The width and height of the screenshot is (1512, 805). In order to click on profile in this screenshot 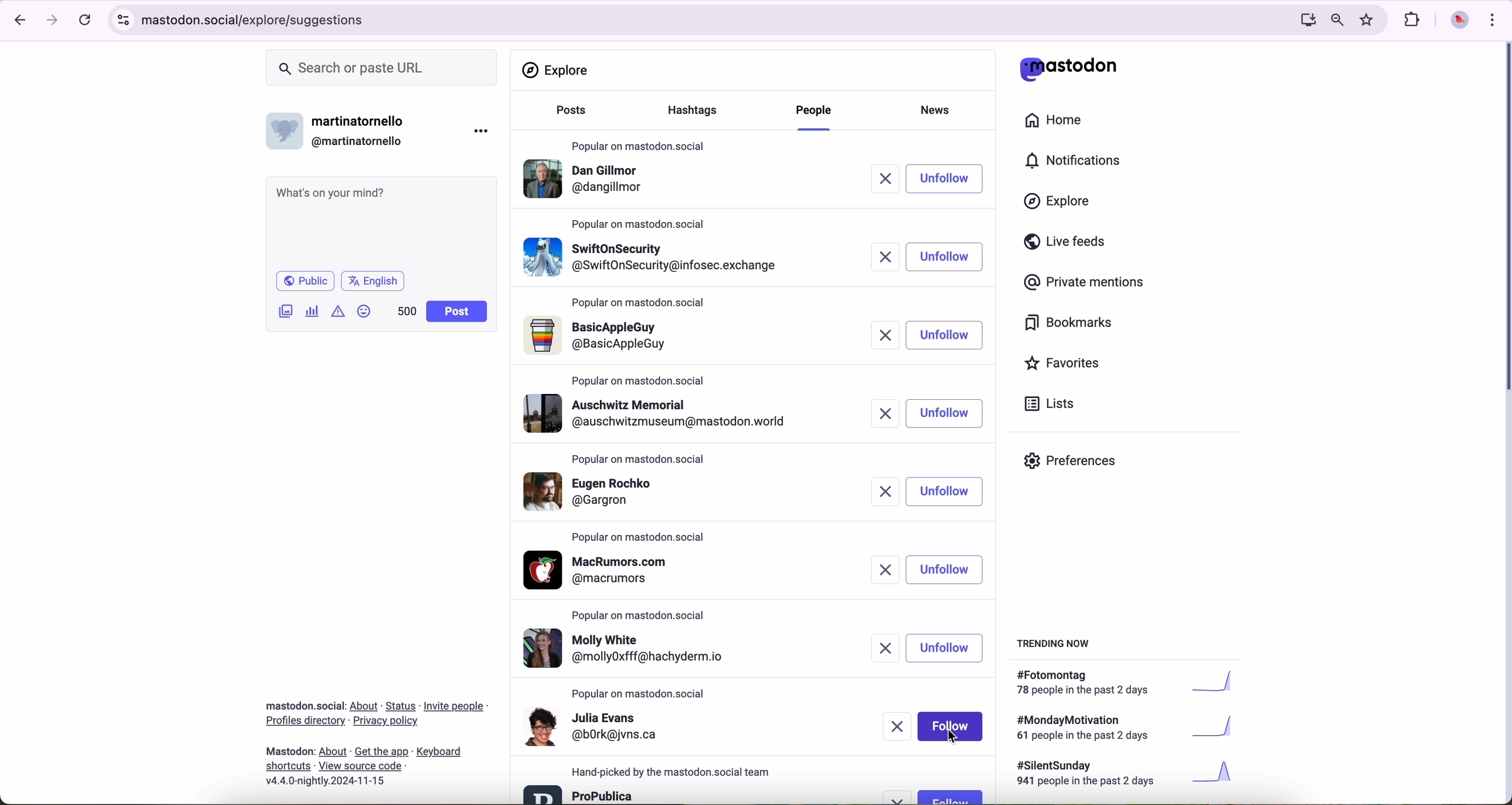, I will do `click(601, 336)`.